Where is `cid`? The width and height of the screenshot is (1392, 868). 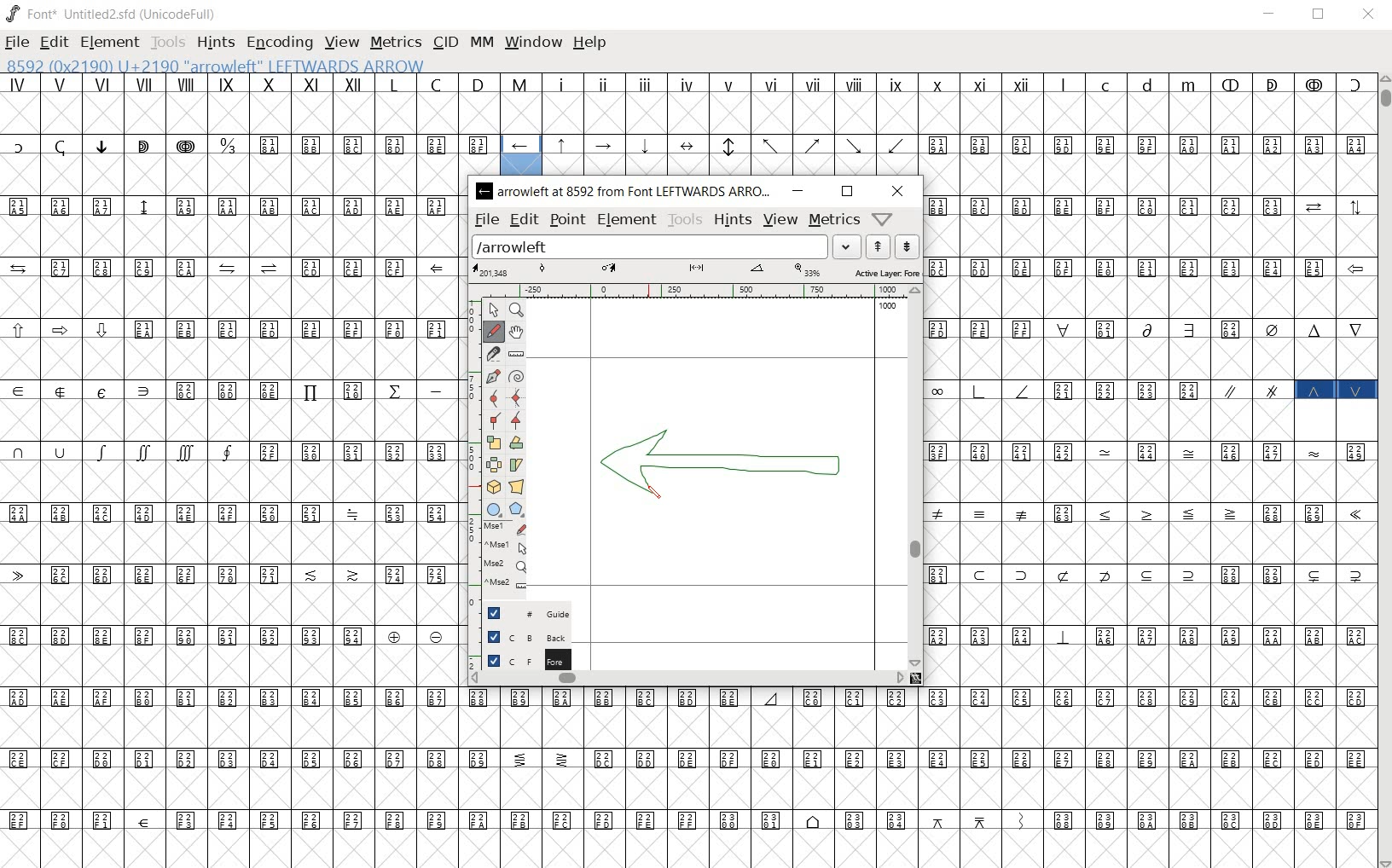
cid is located at coordinates (444, 43).